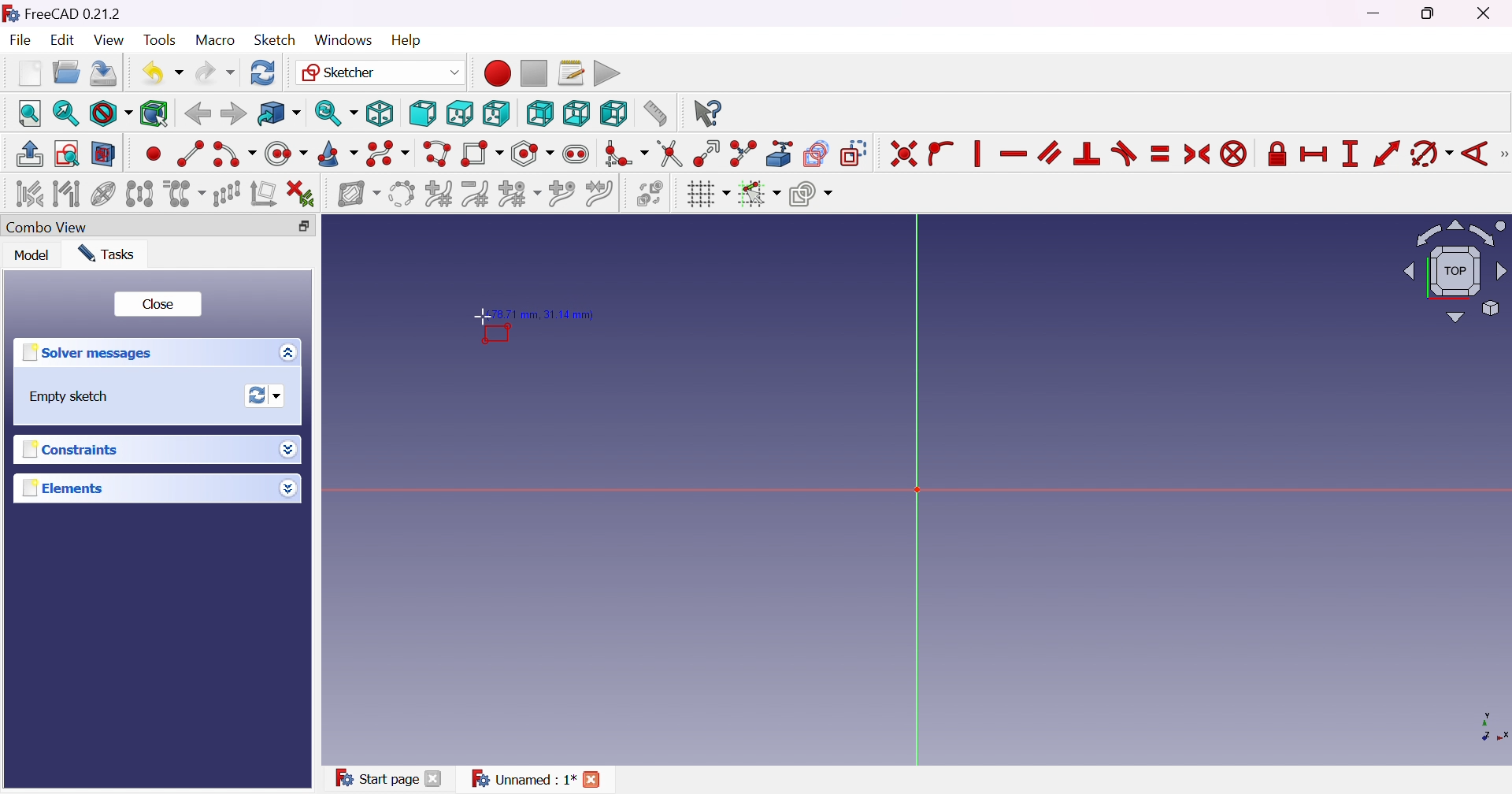  I want to click on Create polyline, so click(438, 154).